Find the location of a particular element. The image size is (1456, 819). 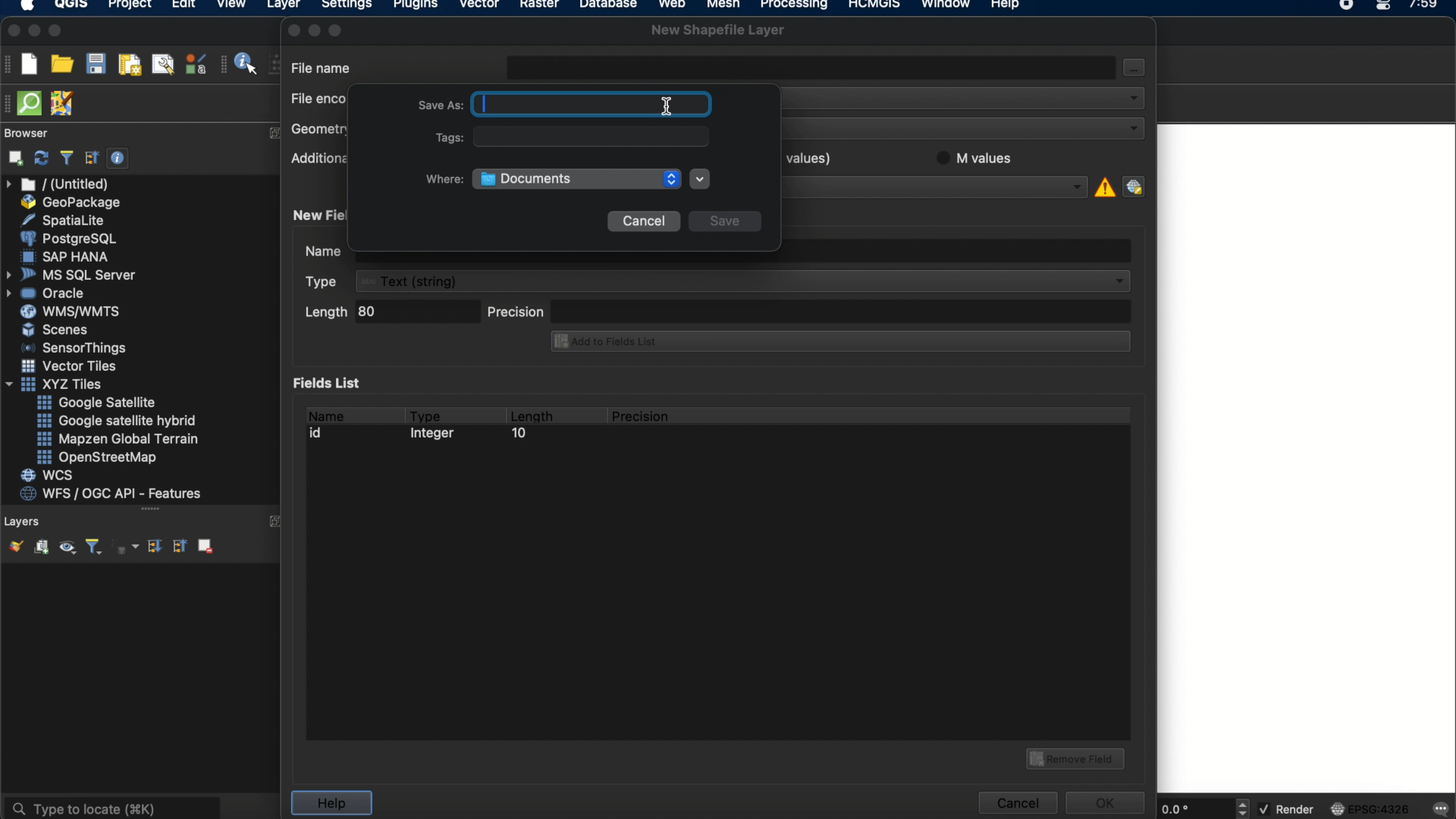

type is located at coordinates (426, 413).